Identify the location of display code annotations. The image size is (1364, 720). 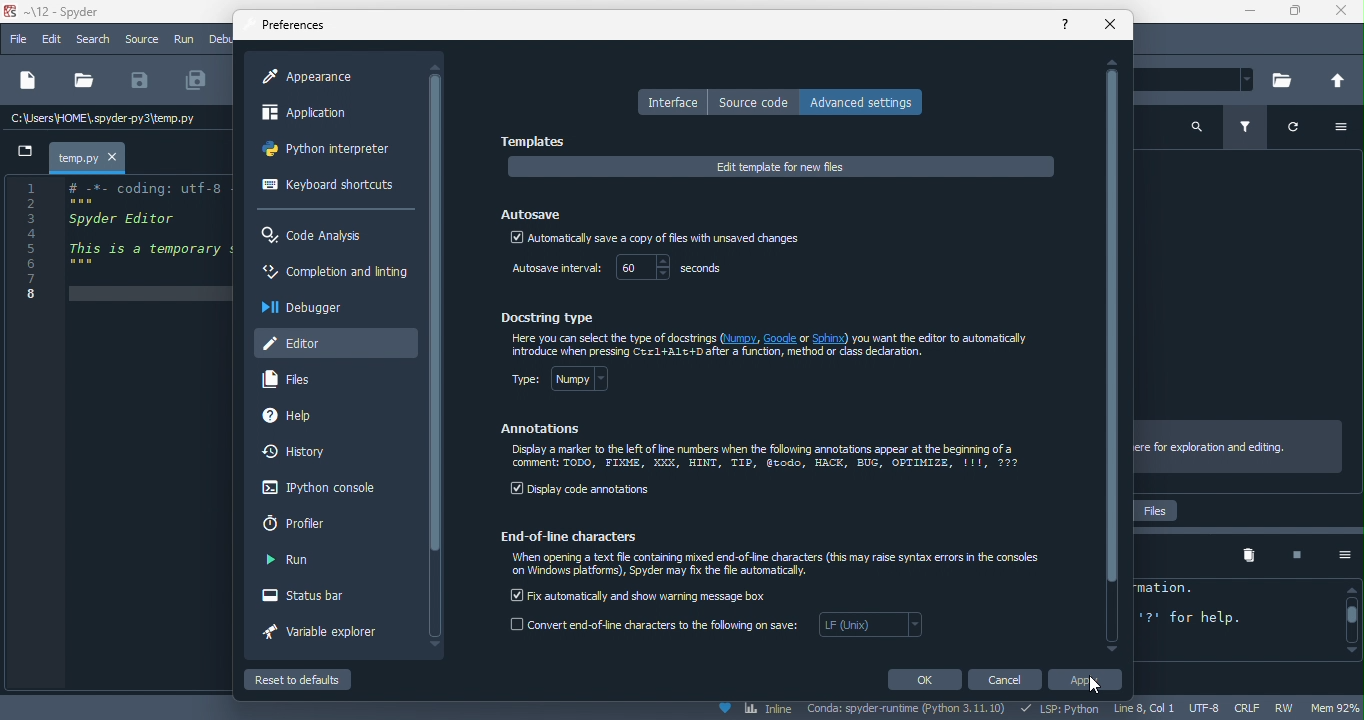
(582, 491).